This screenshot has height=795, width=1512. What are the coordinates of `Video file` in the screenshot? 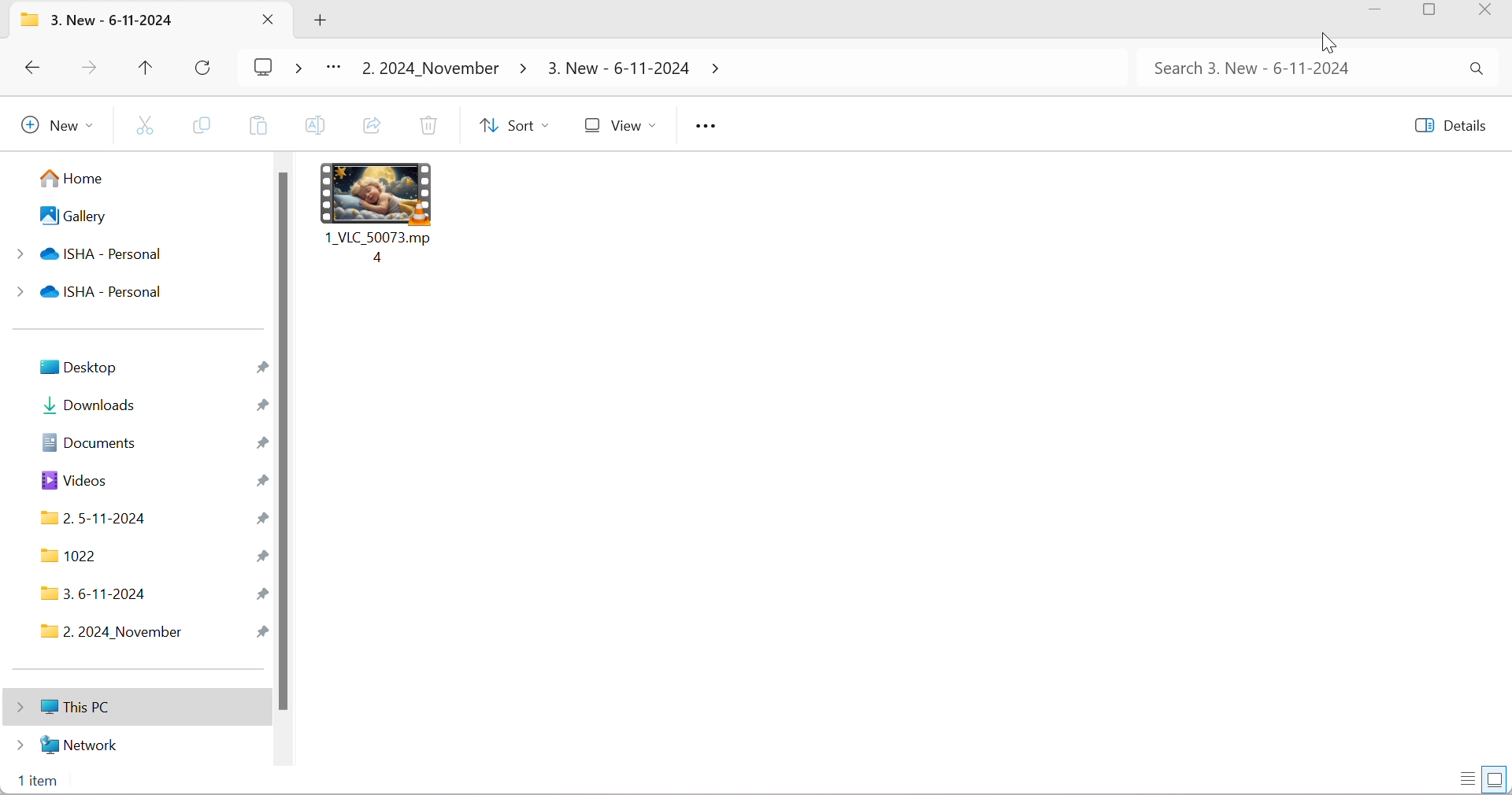 It's located at (376, 192).